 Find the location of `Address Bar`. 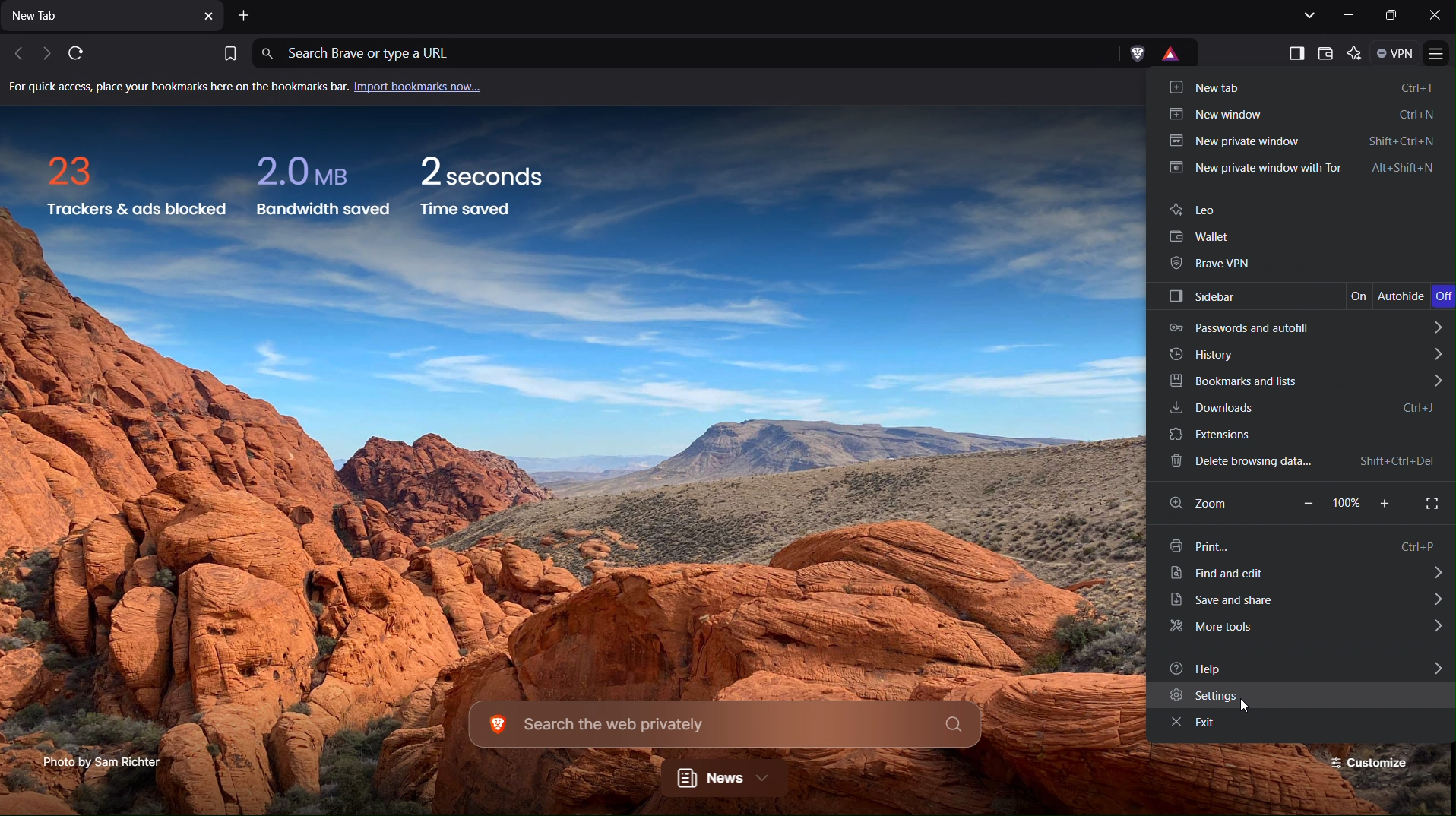

Address Bar is located at coordinates (727, 56).